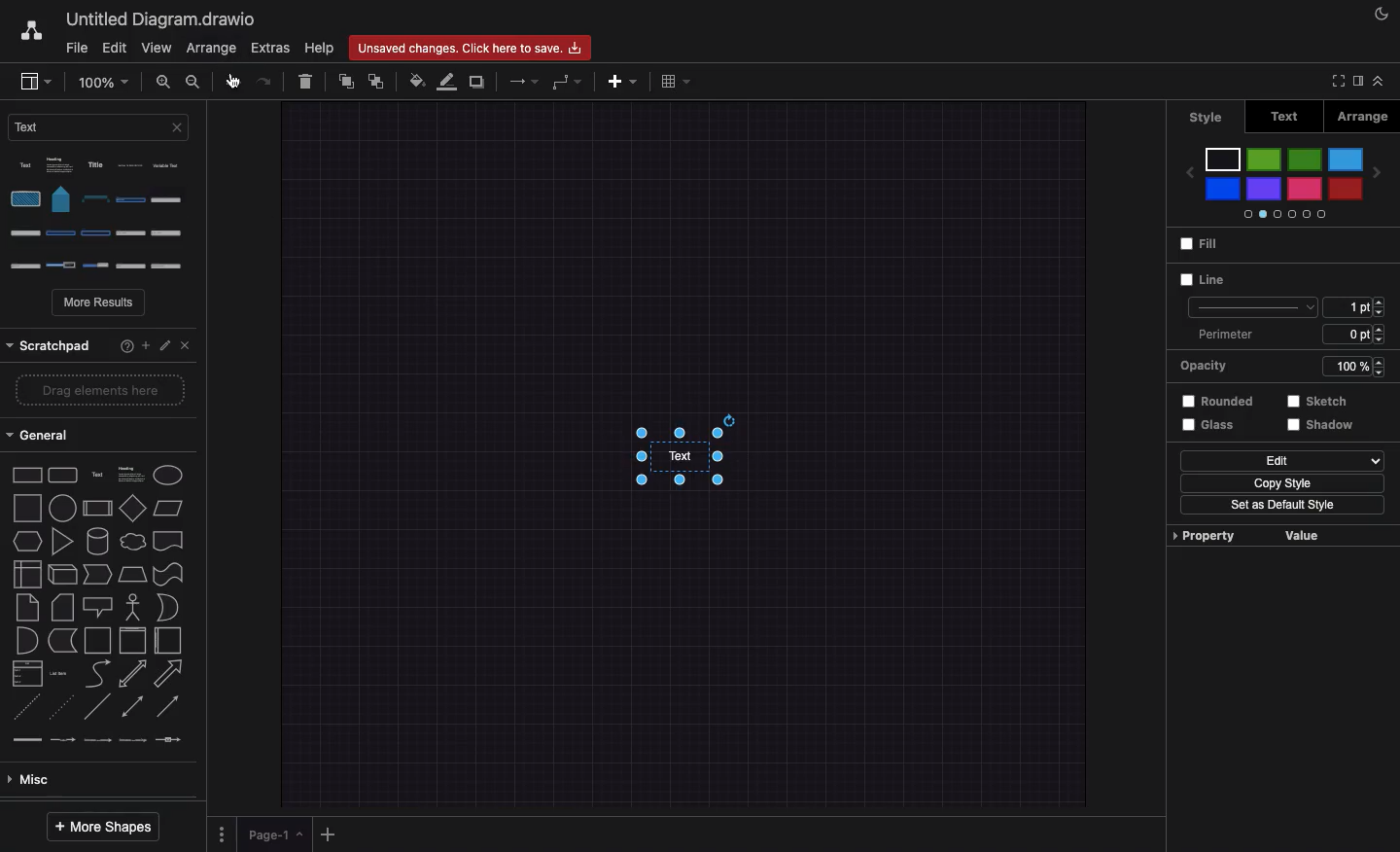 The height and width of the screenshot is (852, 1400). What do you see at coordinates (164, 341) in the screenshot?
I see `Edit` at bounding box center [164, 341].